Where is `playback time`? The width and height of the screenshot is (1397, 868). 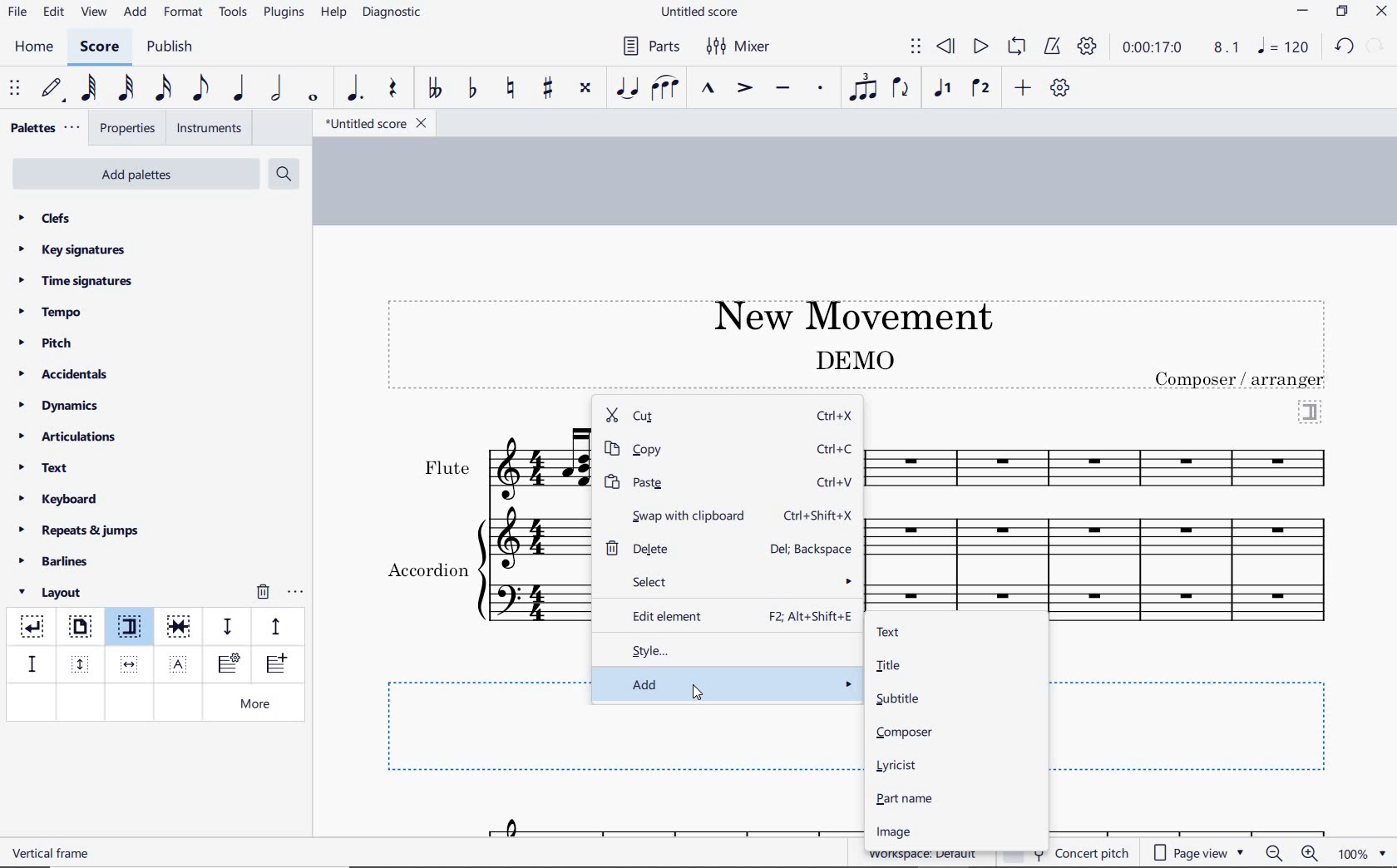 playback time is located at coordinates (1153, 47).